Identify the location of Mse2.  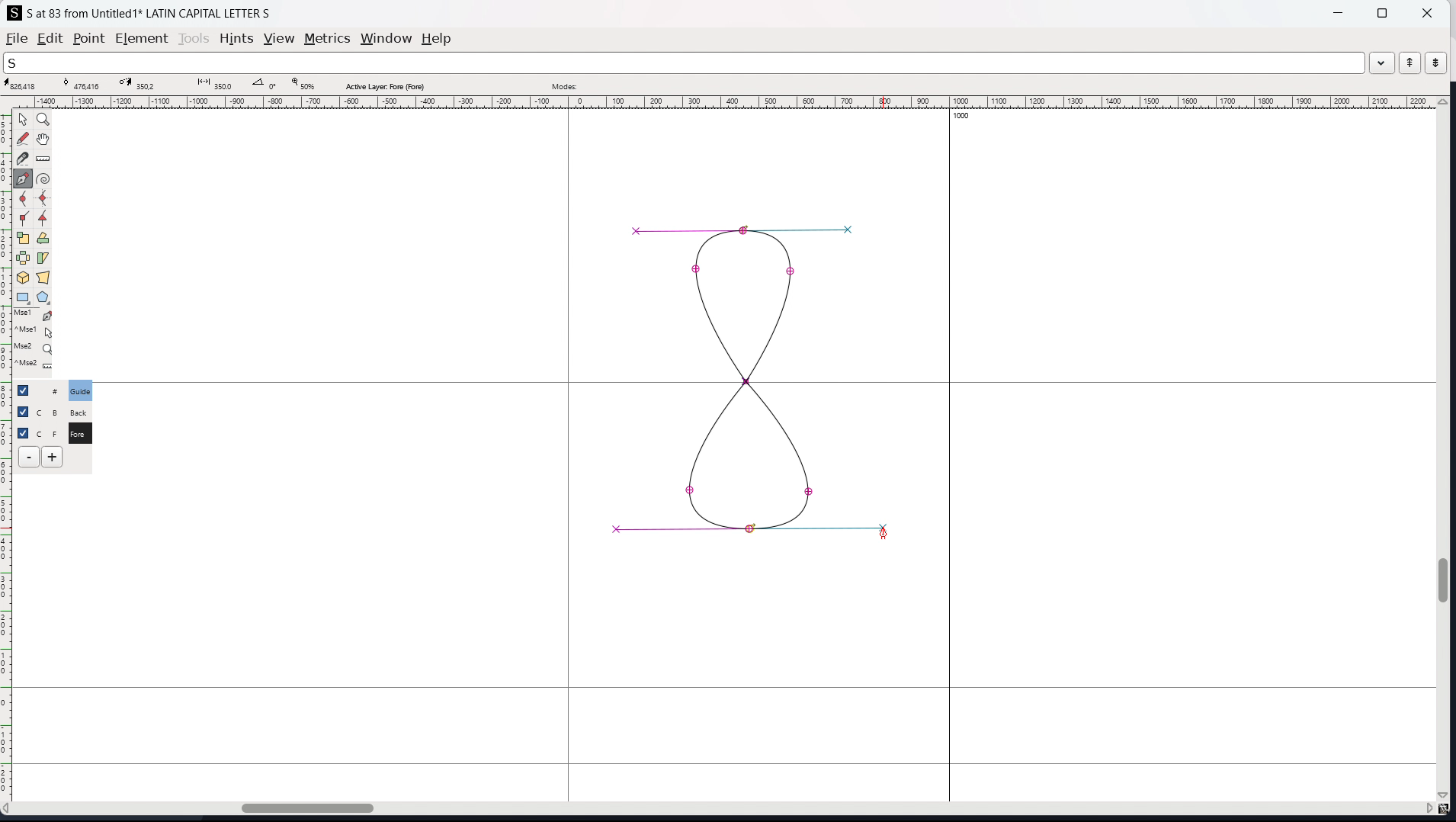
(35, 348).